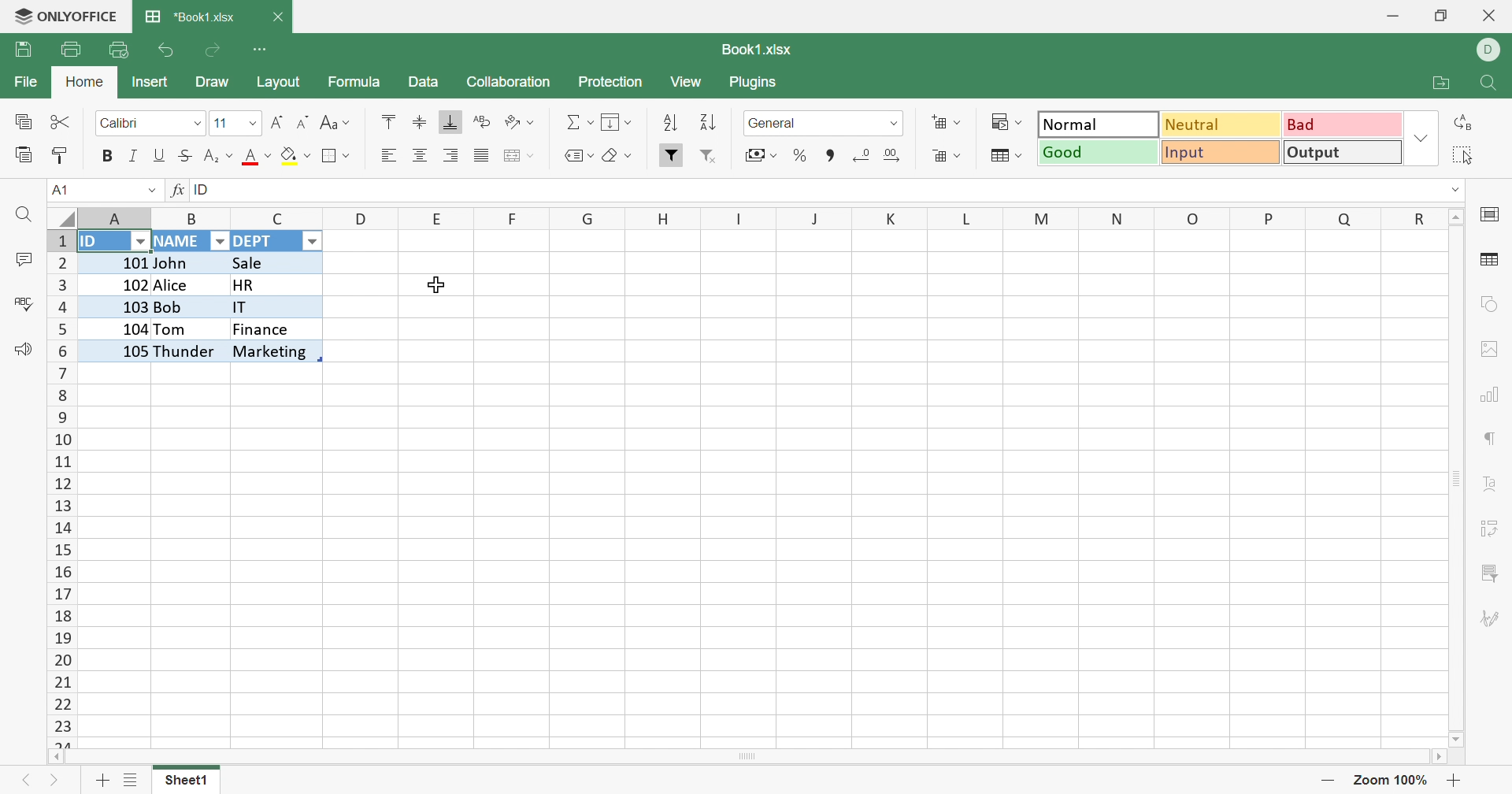  I want to click on Pivot Table settings, so click(1491, 529).